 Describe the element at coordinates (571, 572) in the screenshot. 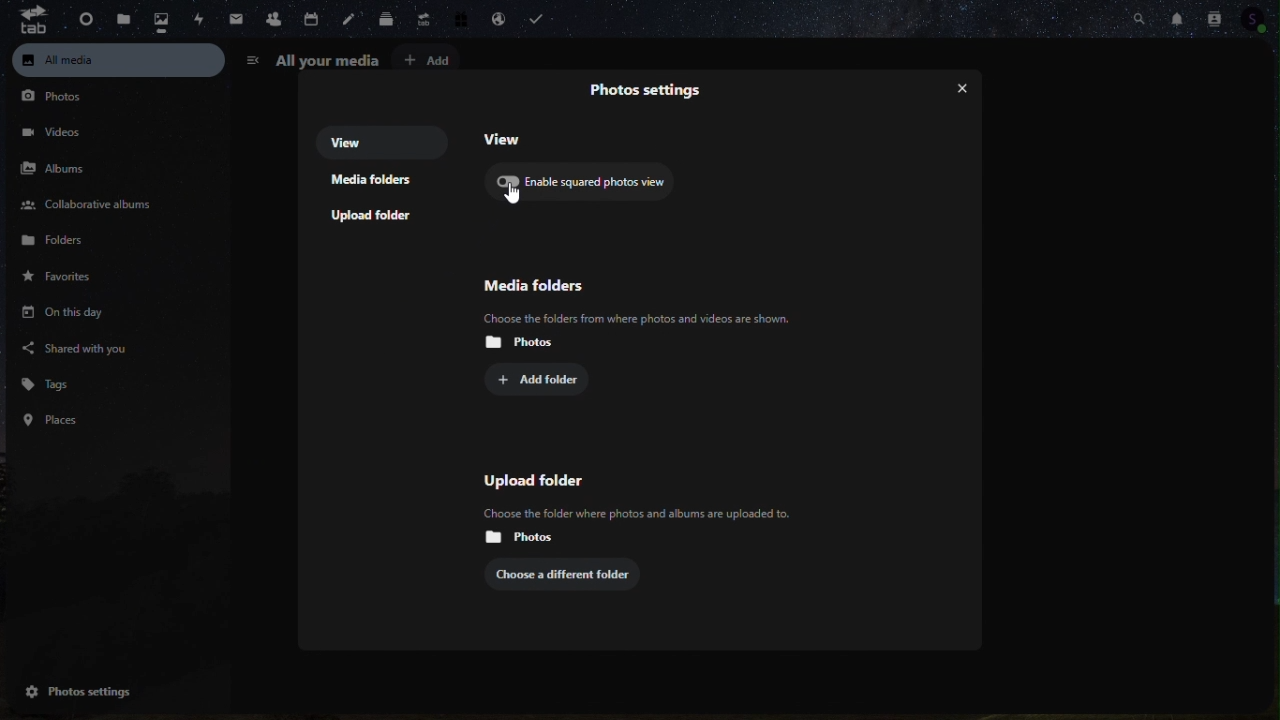

I see `choose a different folder` at that location.